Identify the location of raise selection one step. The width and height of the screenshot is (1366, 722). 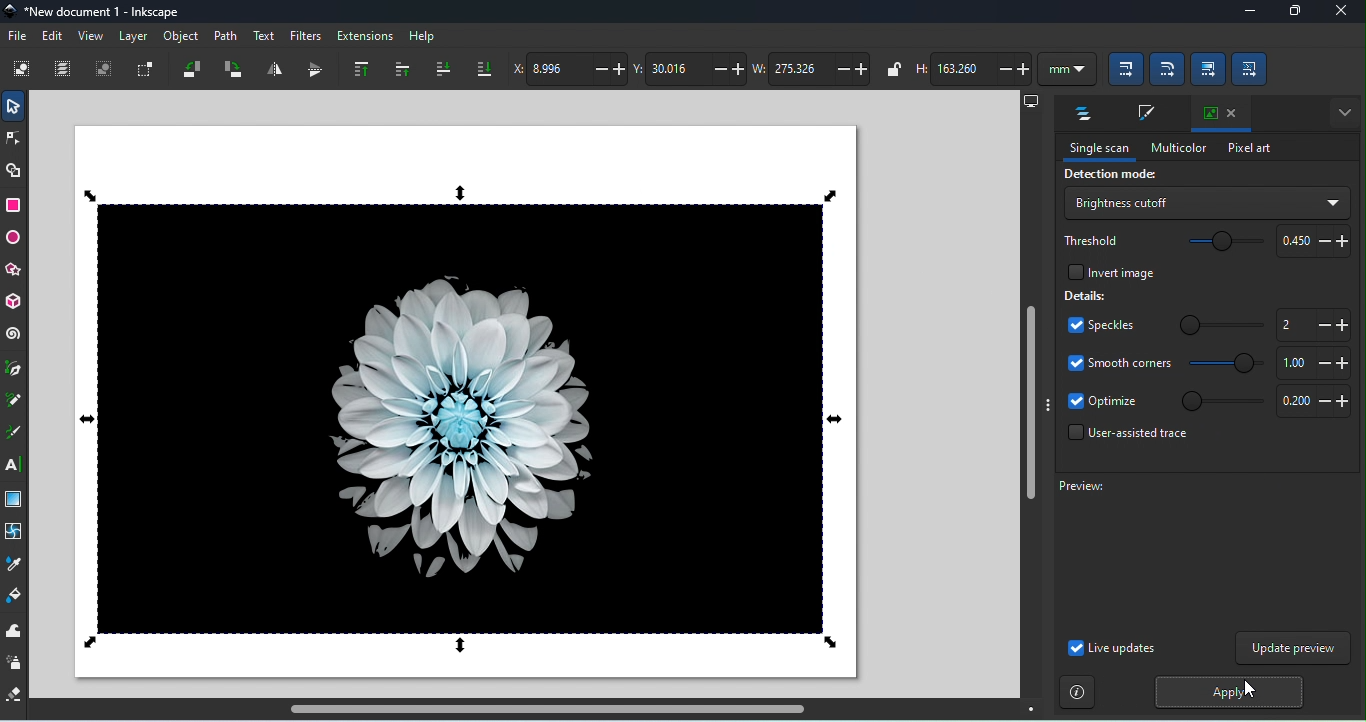
(399, 68).